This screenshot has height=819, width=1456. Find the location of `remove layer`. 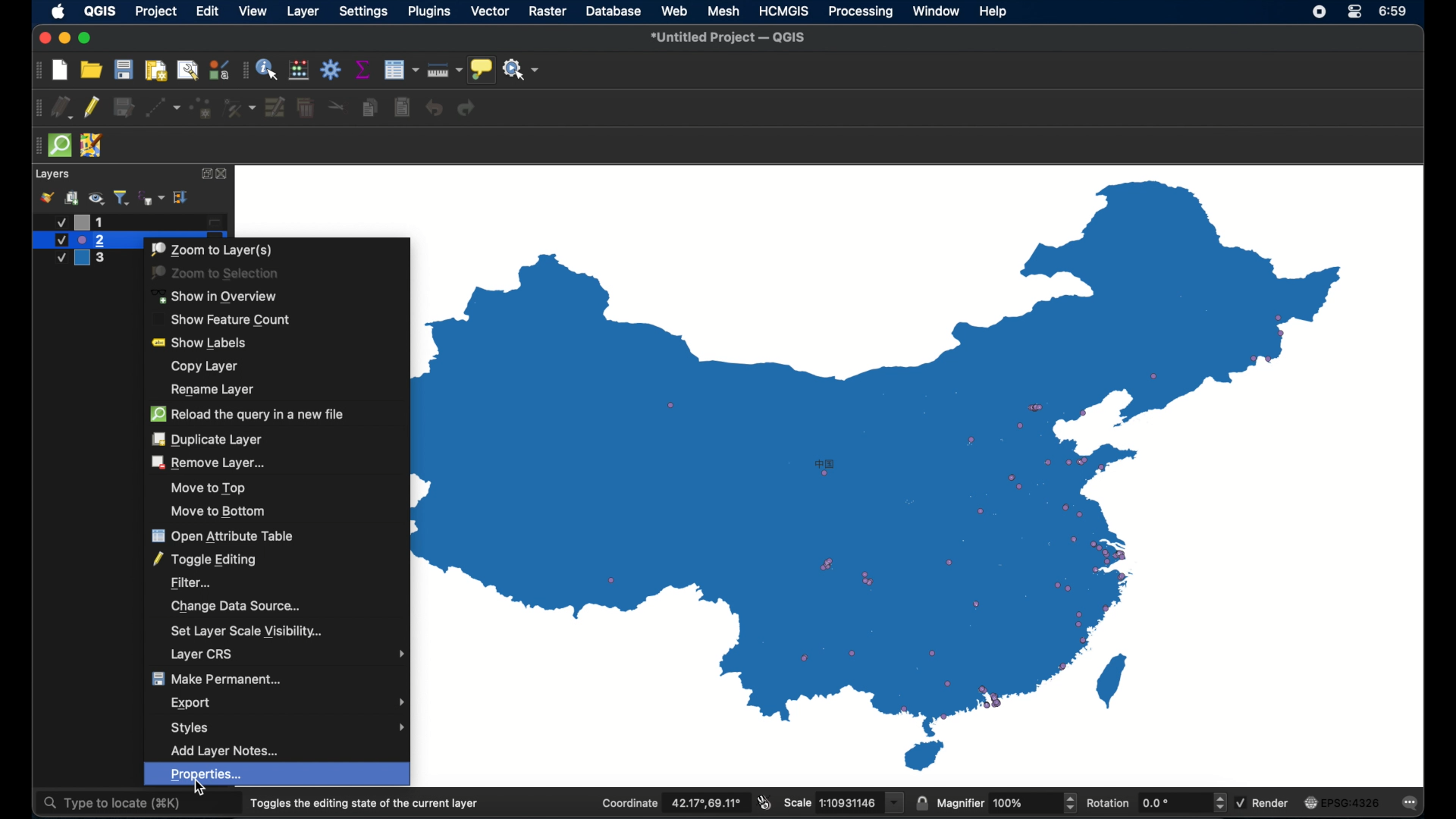

remove layer is located at coordinates (209, 463).